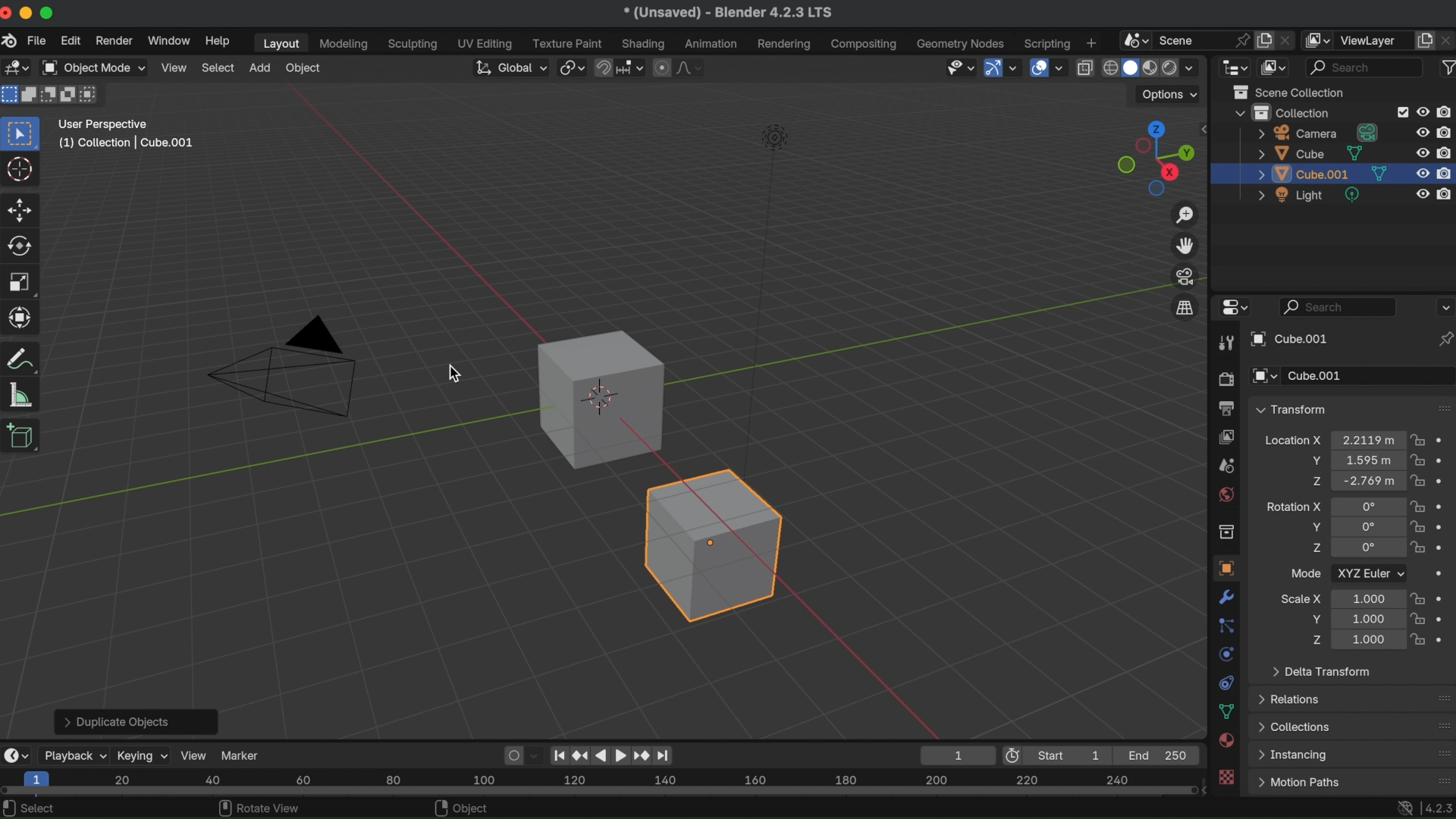 This screenshot has width=1456, height=819. What do you see at coordinates (1442, 407) in the screenshot?
I see `drag handles` at bounding box center [1442, 407].